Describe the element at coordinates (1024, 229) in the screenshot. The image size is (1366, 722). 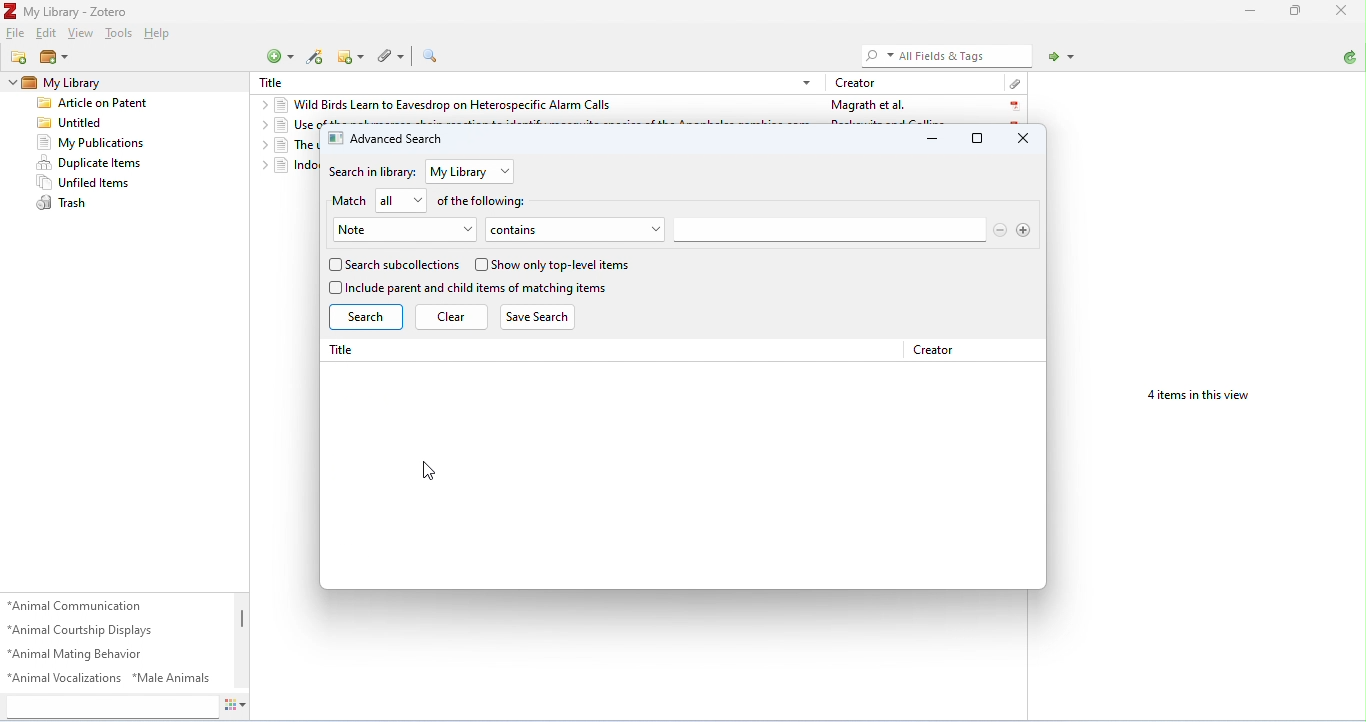
I see `add search option` at that location.